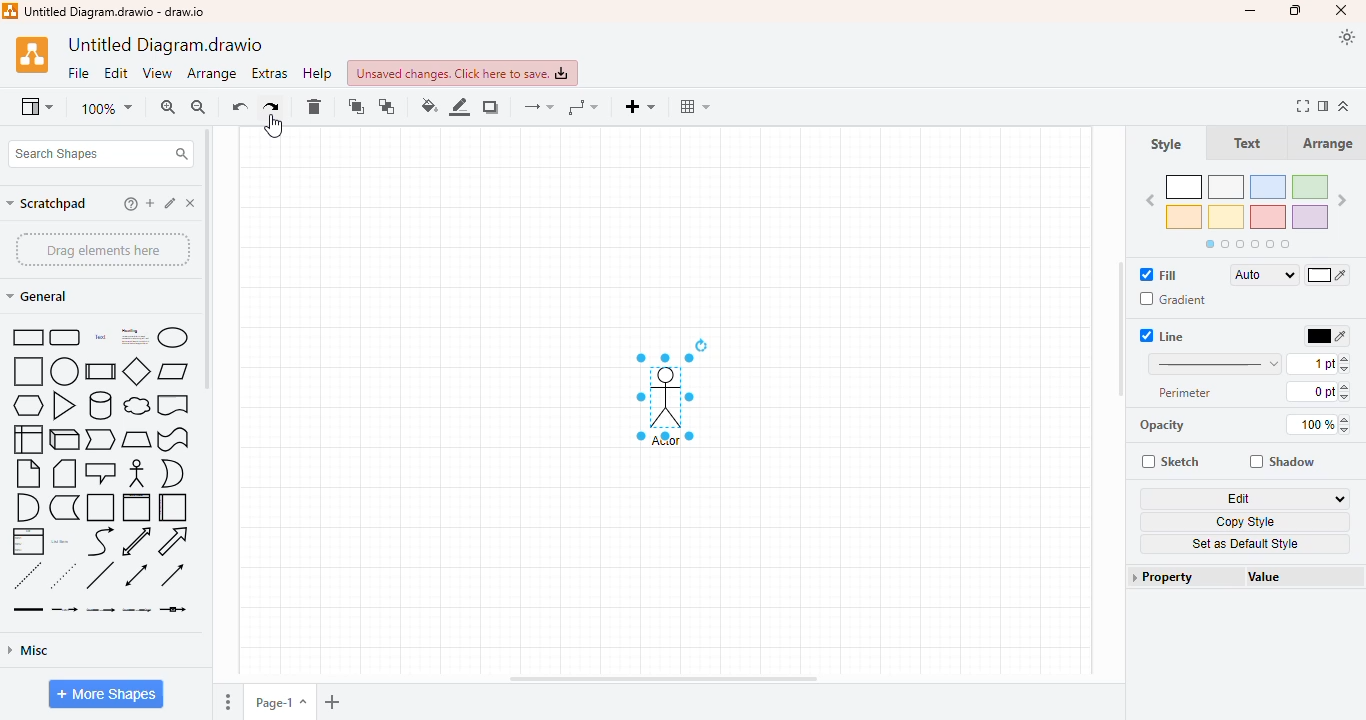 This screenshot has height=720, width=1366. I want to click on next, so click(1343, 201).